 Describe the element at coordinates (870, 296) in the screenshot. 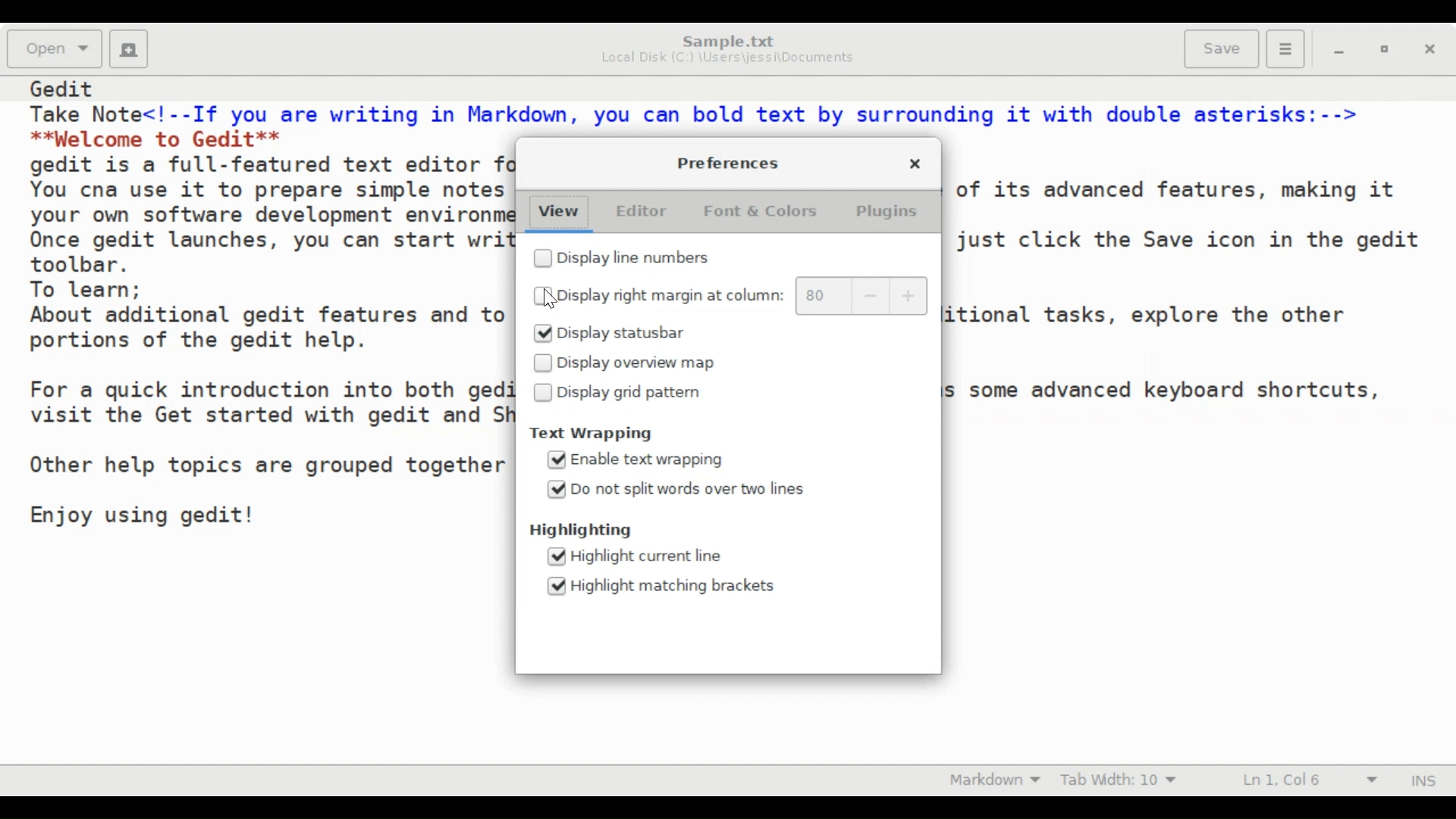

I see `decrease` at that location.